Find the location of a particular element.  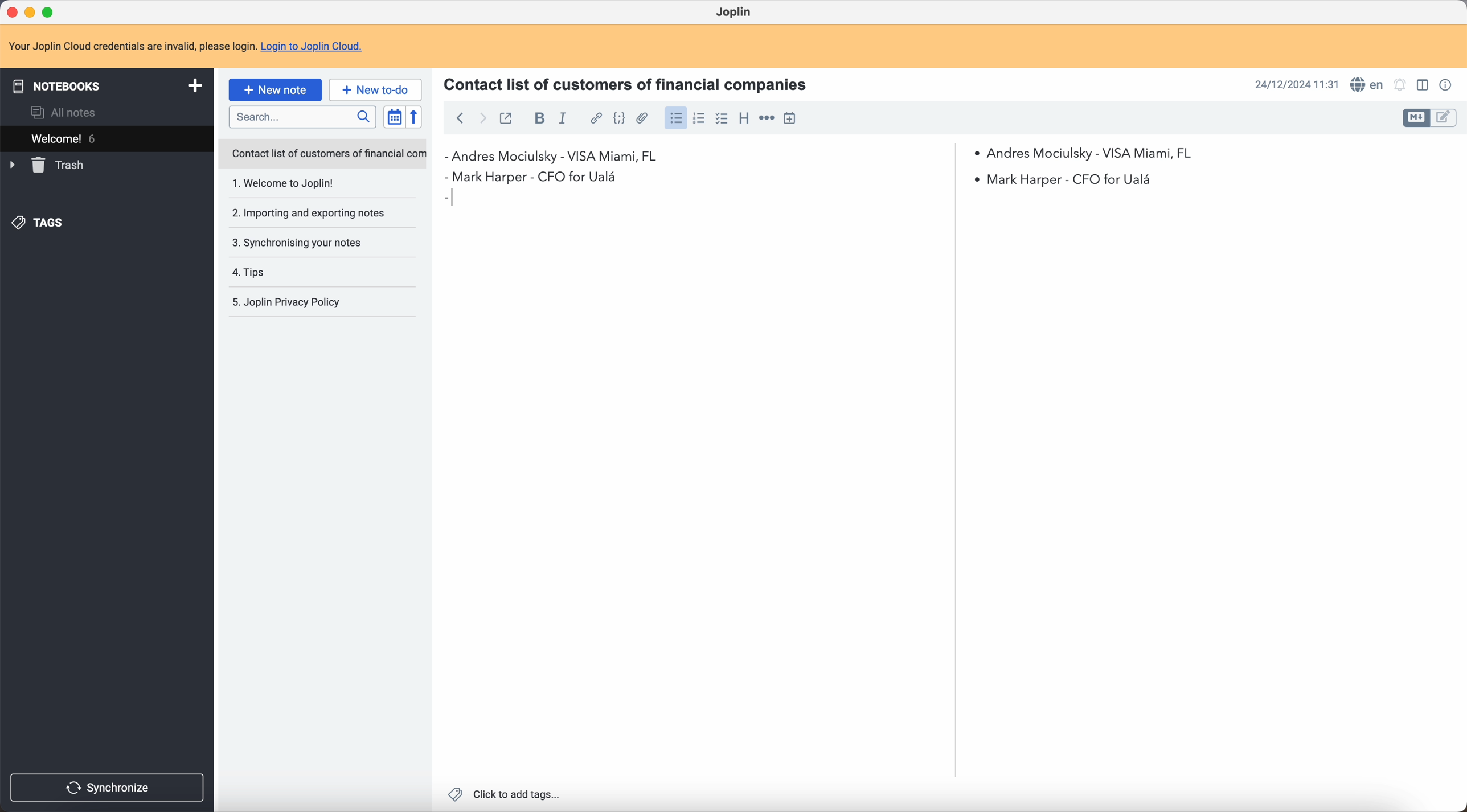

scroll bar is located at coordinates (1458, 255).